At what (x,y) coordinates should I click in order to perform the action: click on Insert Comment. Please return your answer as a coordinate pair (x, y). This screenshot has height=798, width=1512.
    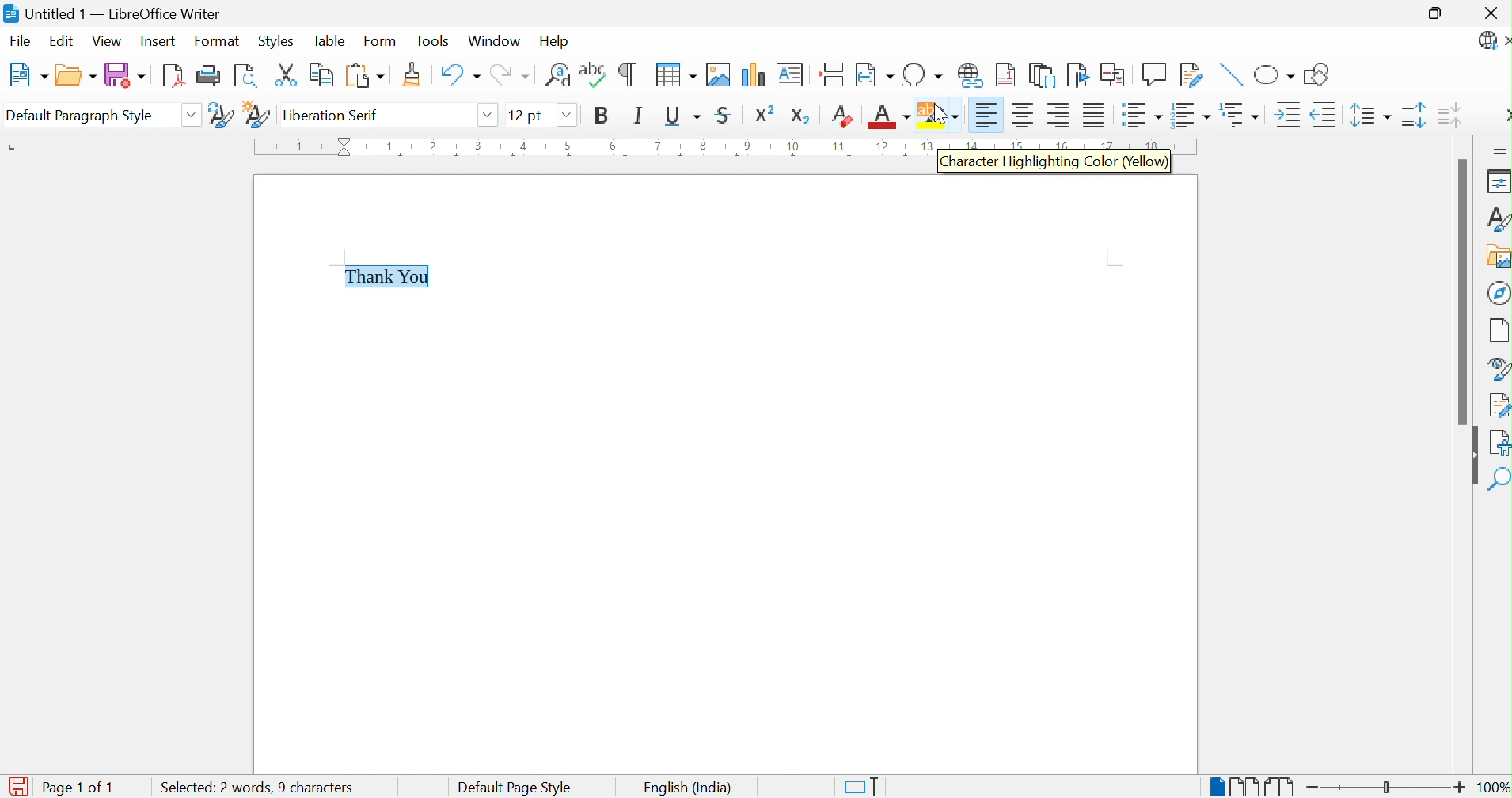
    Looking at the image, I should click on (1155, 74).